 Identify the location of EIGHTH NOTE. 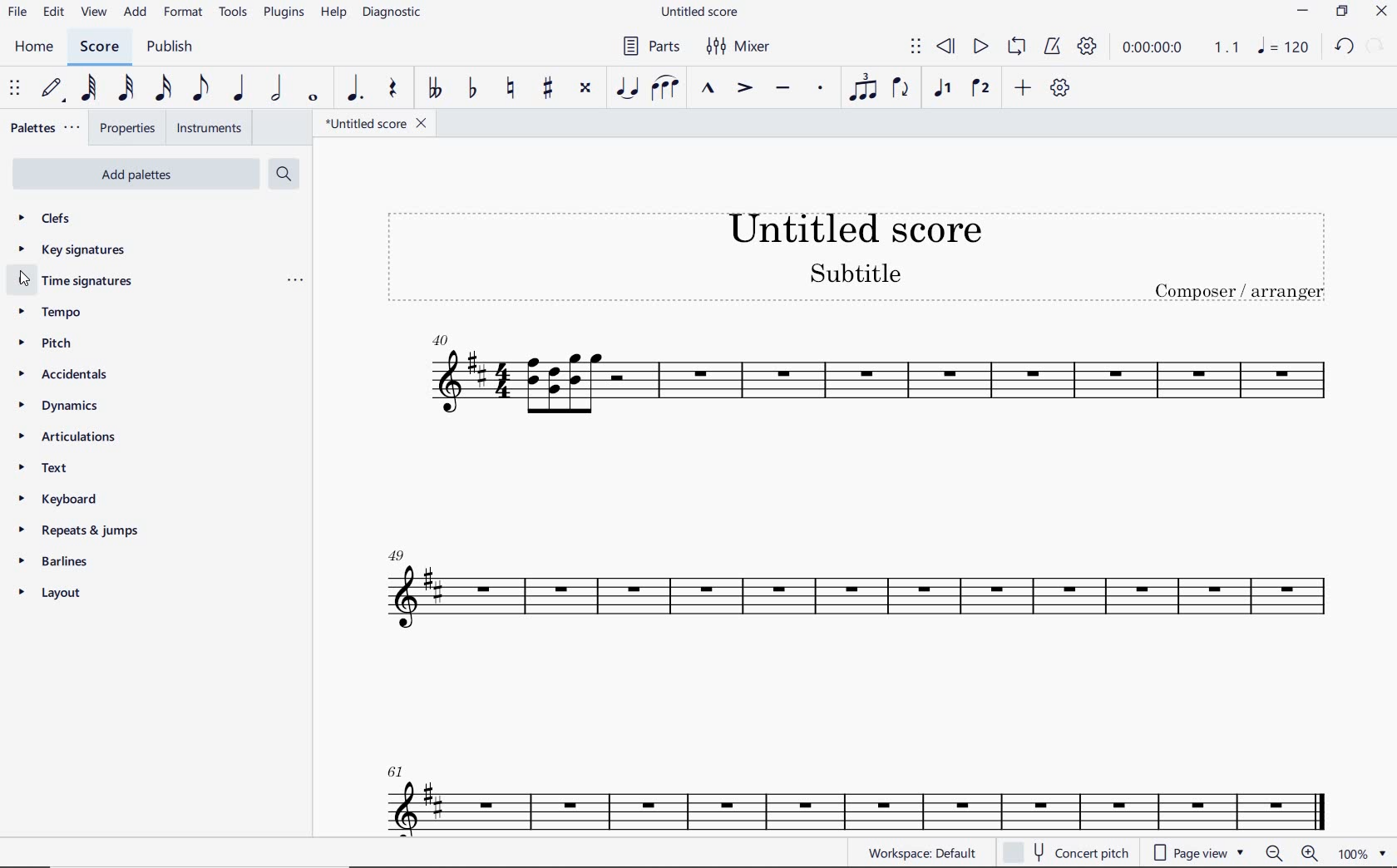
(200, 89).